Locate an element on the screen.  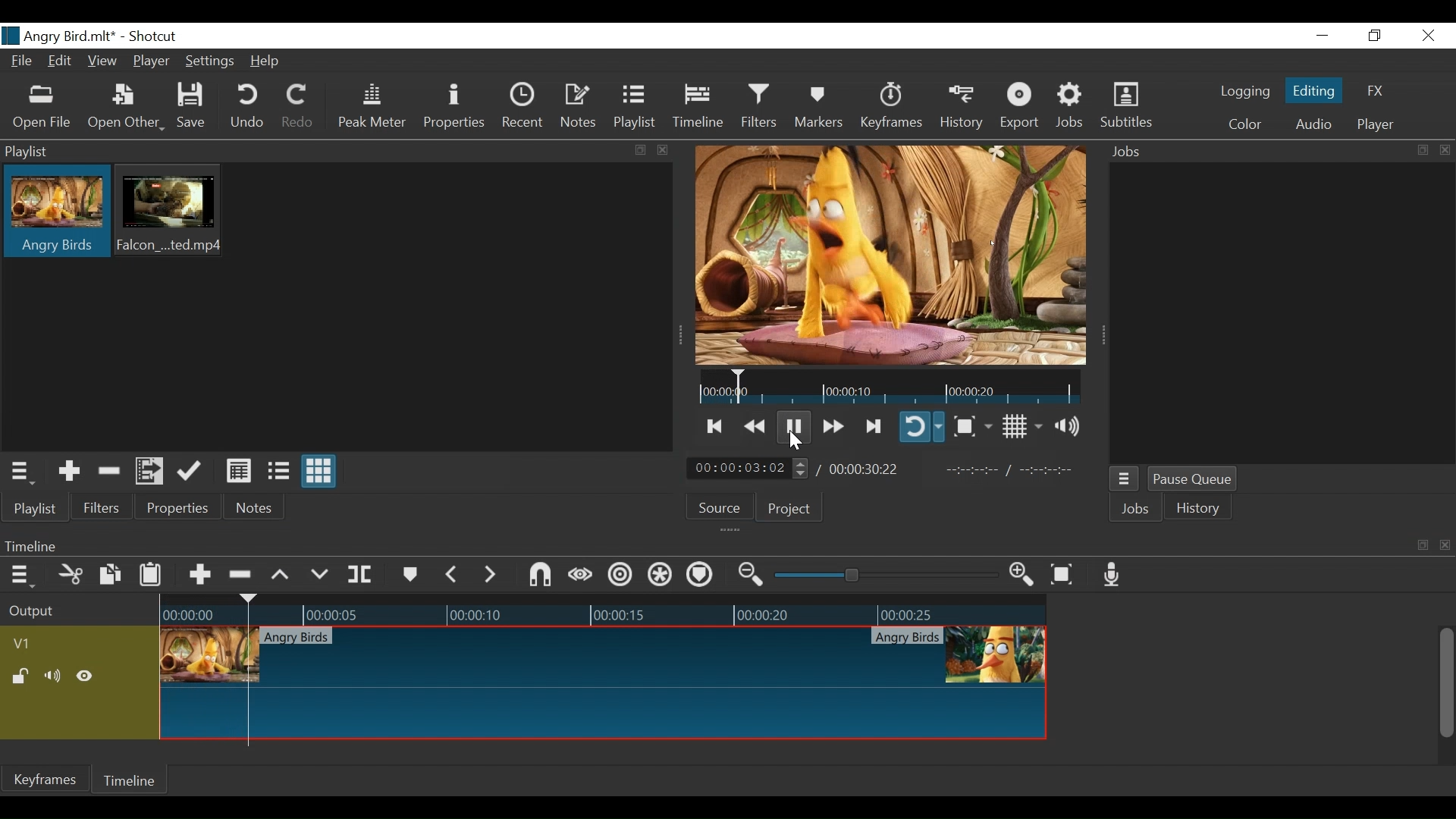
Video track name is located at coordinates (33, 644).